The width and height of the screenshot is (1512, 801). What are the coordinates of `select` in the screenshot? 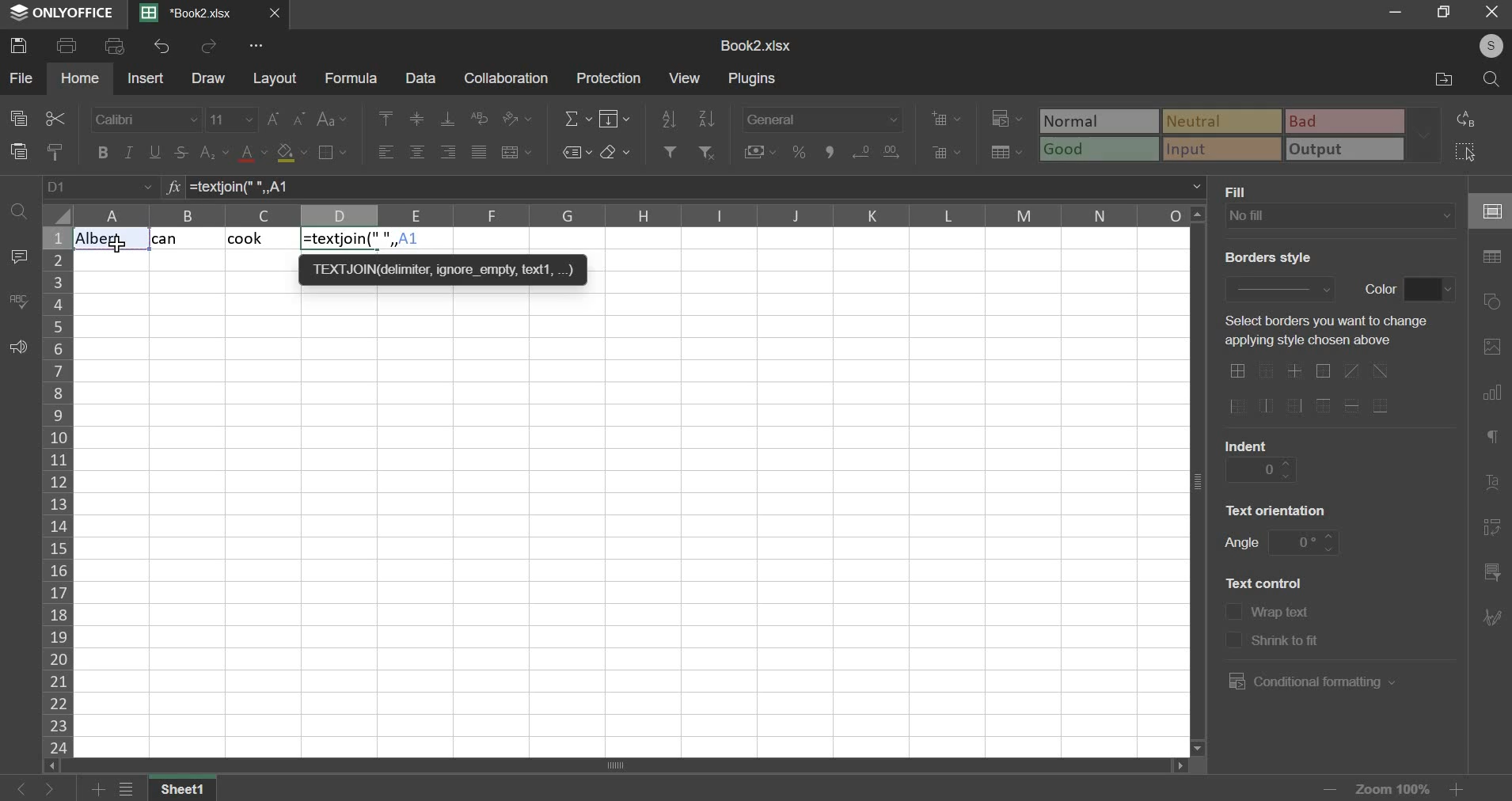 It's located at (1474, 152).